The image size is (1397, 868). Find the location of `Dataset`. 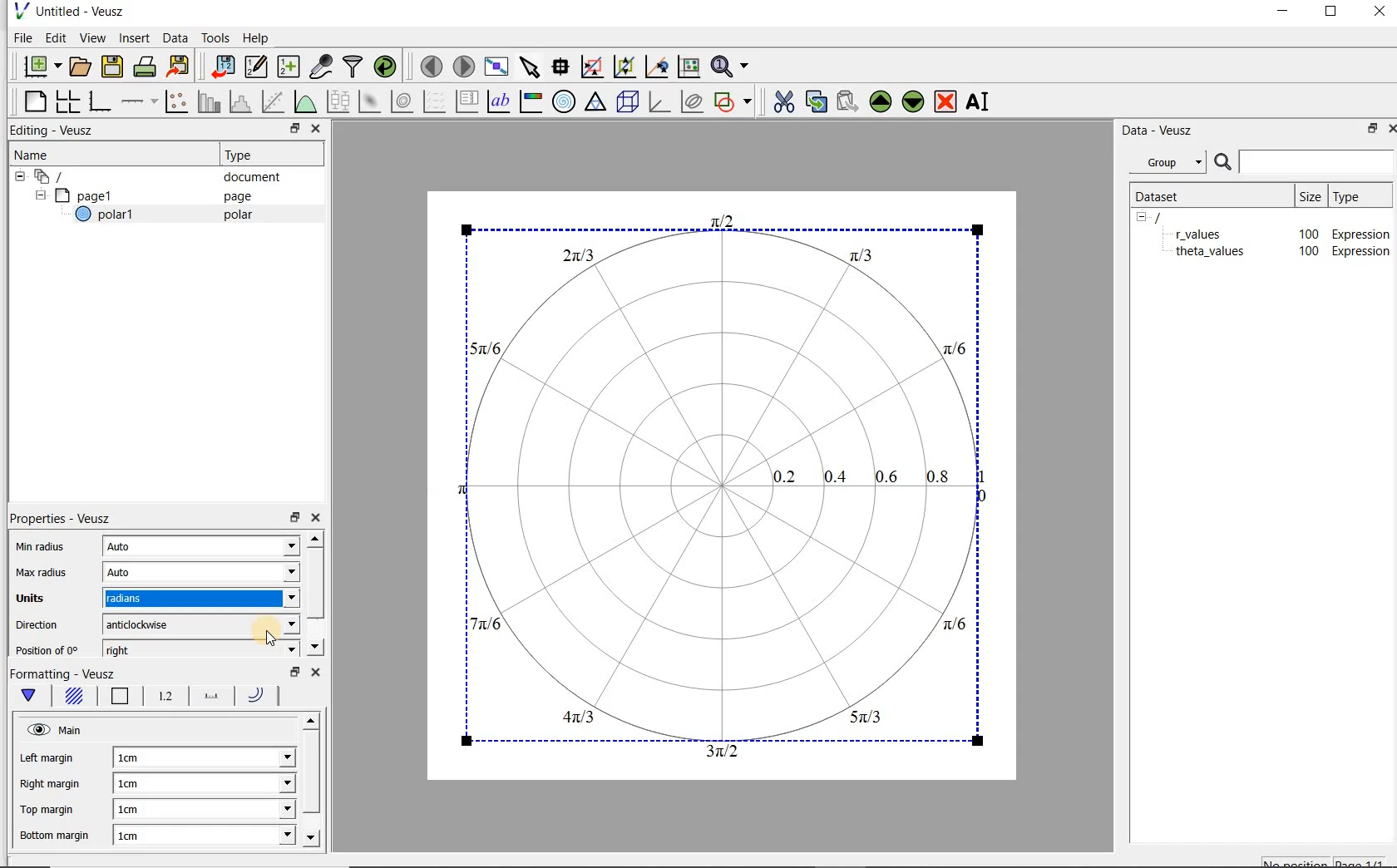

Dataset is located at coordinates (1166, 195).